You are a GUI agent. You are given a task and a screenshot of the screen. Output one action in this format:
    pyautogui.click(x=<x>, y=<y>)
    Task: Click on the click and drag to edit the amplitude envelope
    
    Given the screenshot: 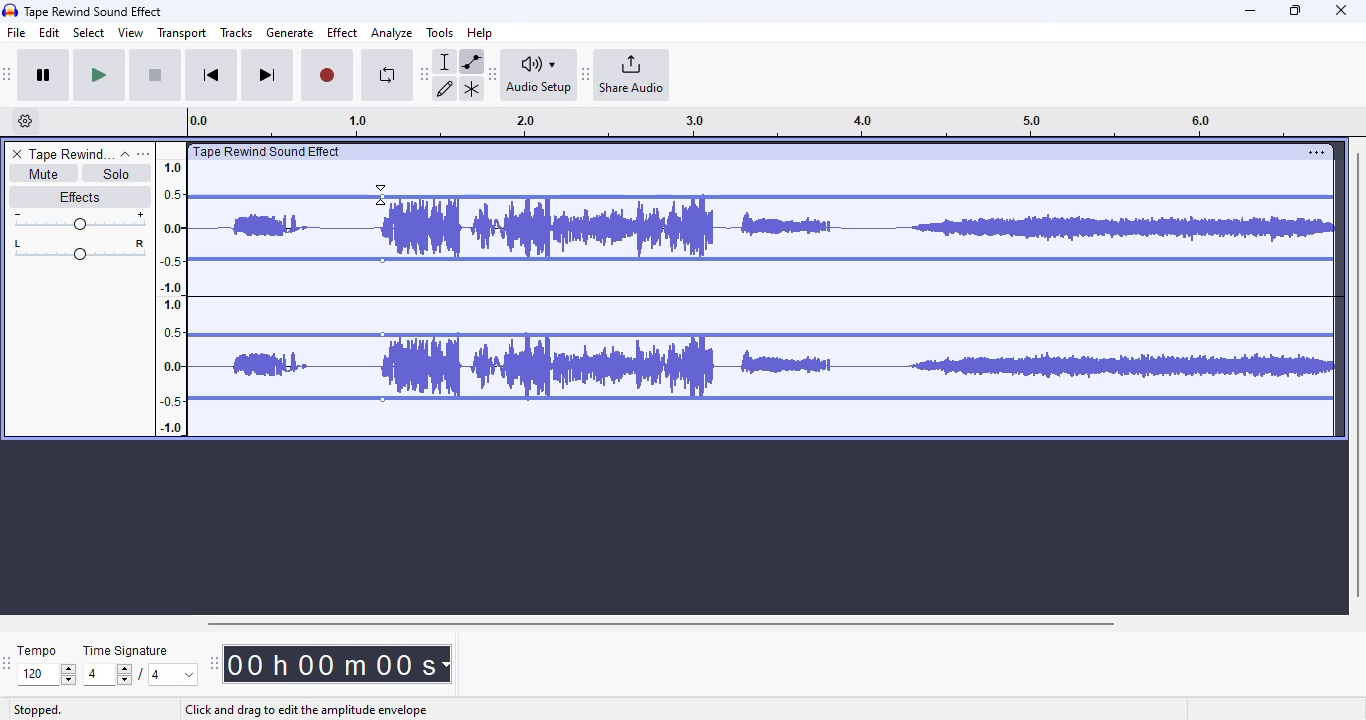 What is the action you would take?
    pyautogui.click(x=307, y=709)
    